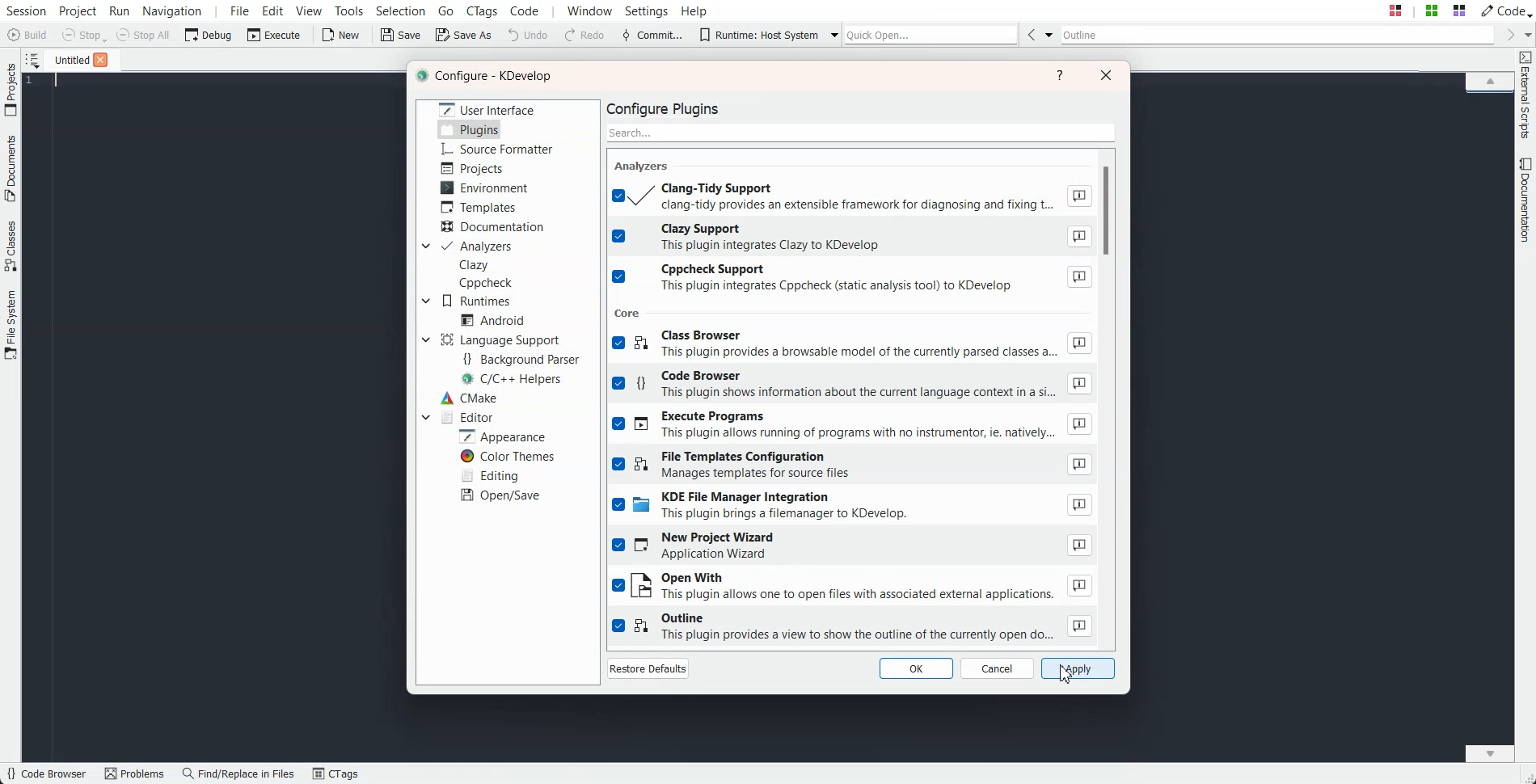 The width and height of the screenshot is (1536, 784). I want to click on Documentation, so click(495, 227).